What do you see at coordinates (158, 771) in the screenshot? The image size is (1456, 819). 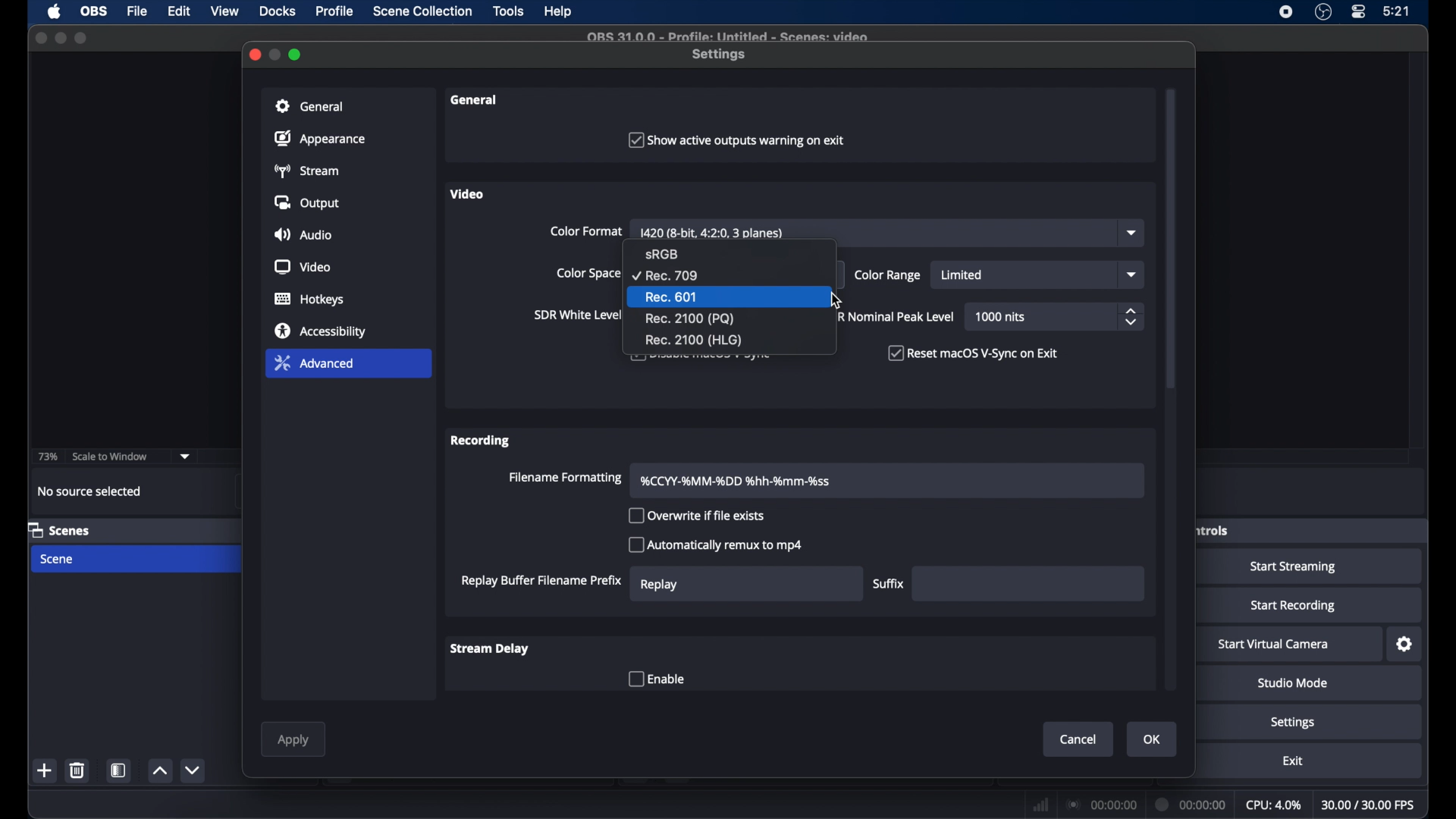 I see `increment` at bounding box center [158, 771].